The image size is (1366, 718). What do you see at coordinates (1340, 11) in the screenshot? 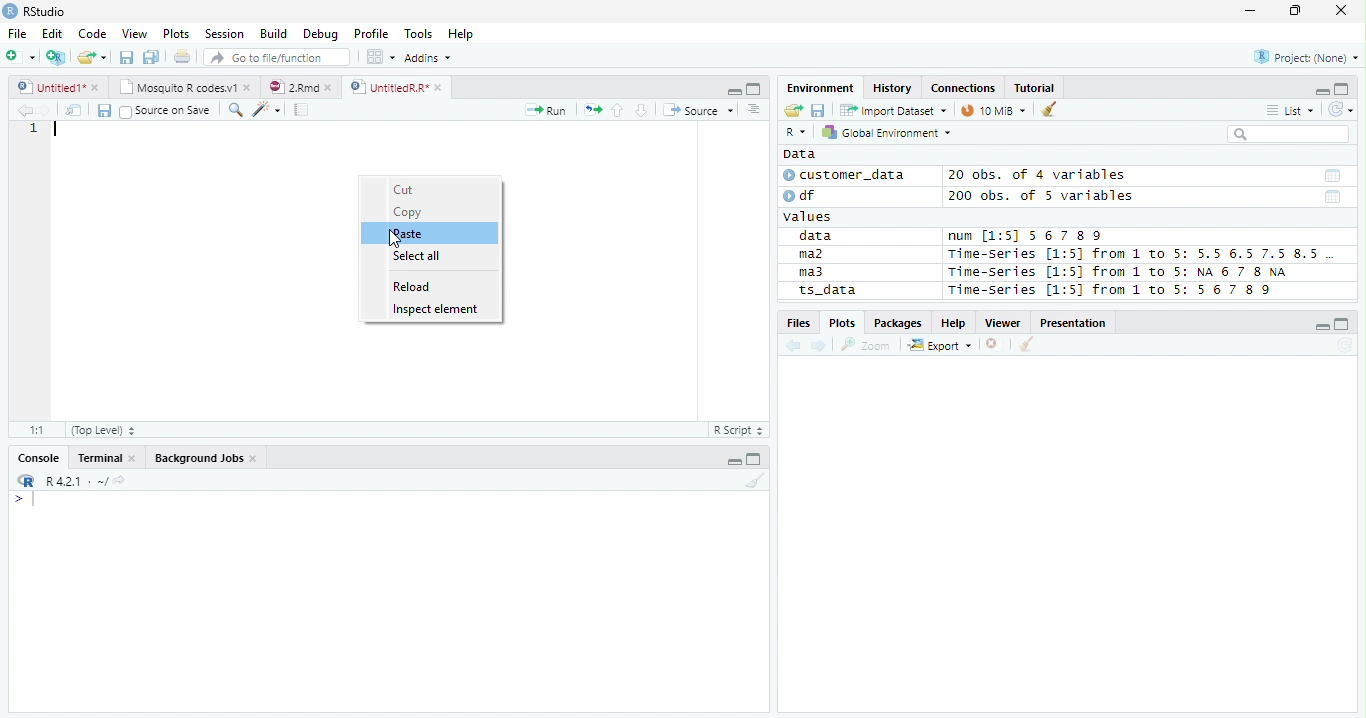
I see `Close` at bounding box center [1340, 11].